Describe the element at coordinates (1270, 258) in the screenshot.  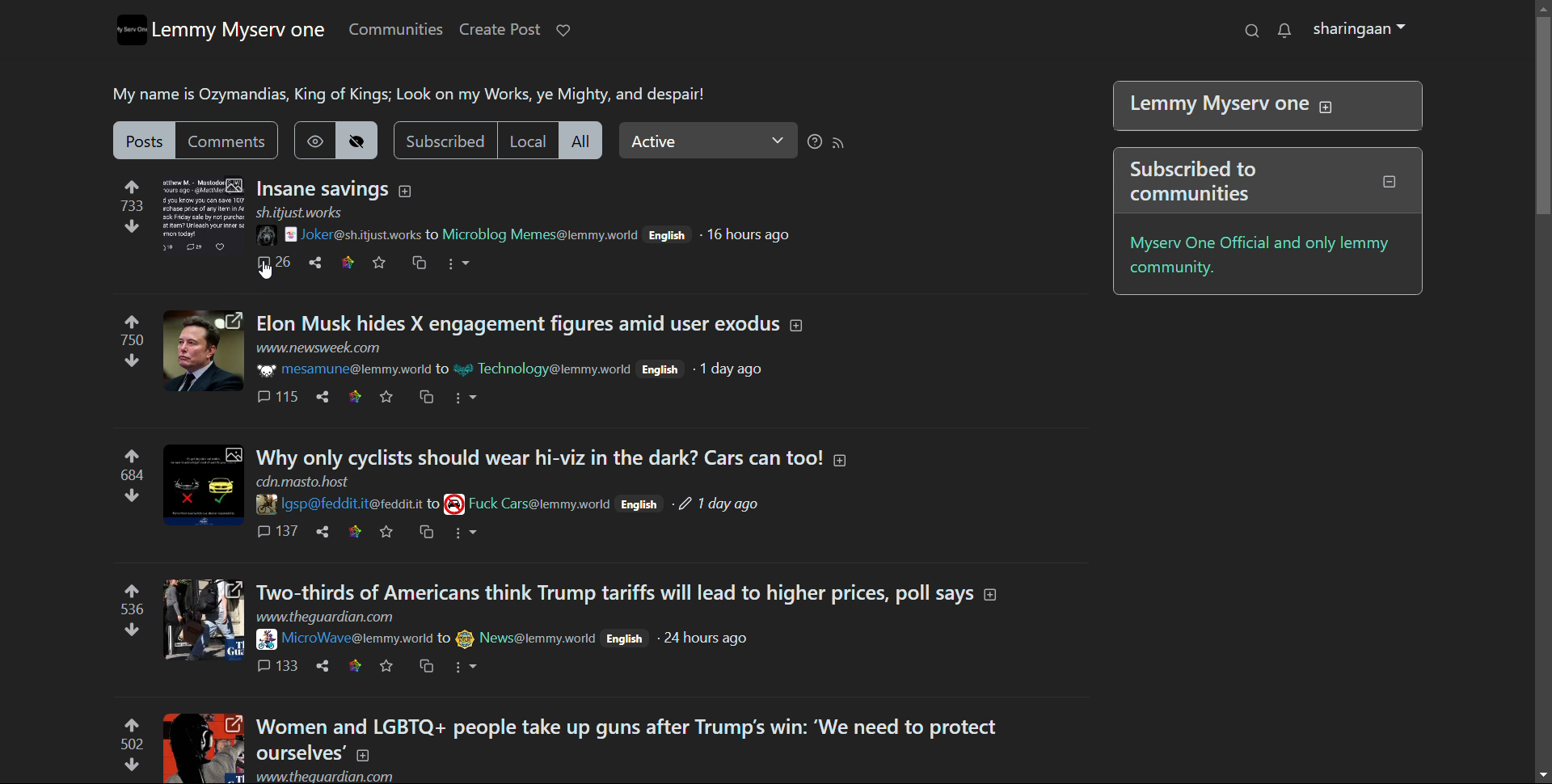
I see `Myserv One Official and only lemmy community.` at that location.